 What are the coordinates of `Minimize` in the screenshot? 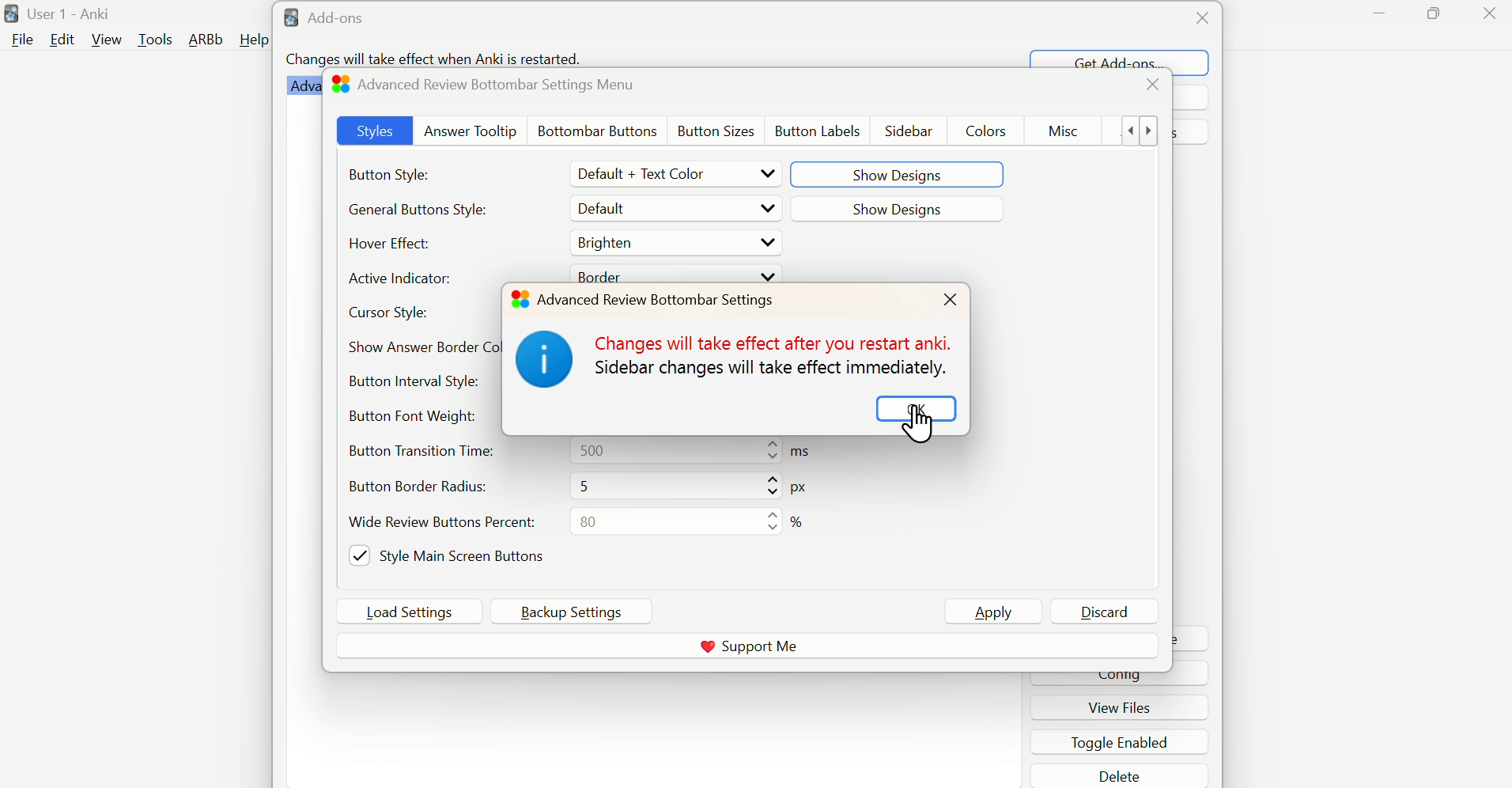 It's located at (1378, 14).